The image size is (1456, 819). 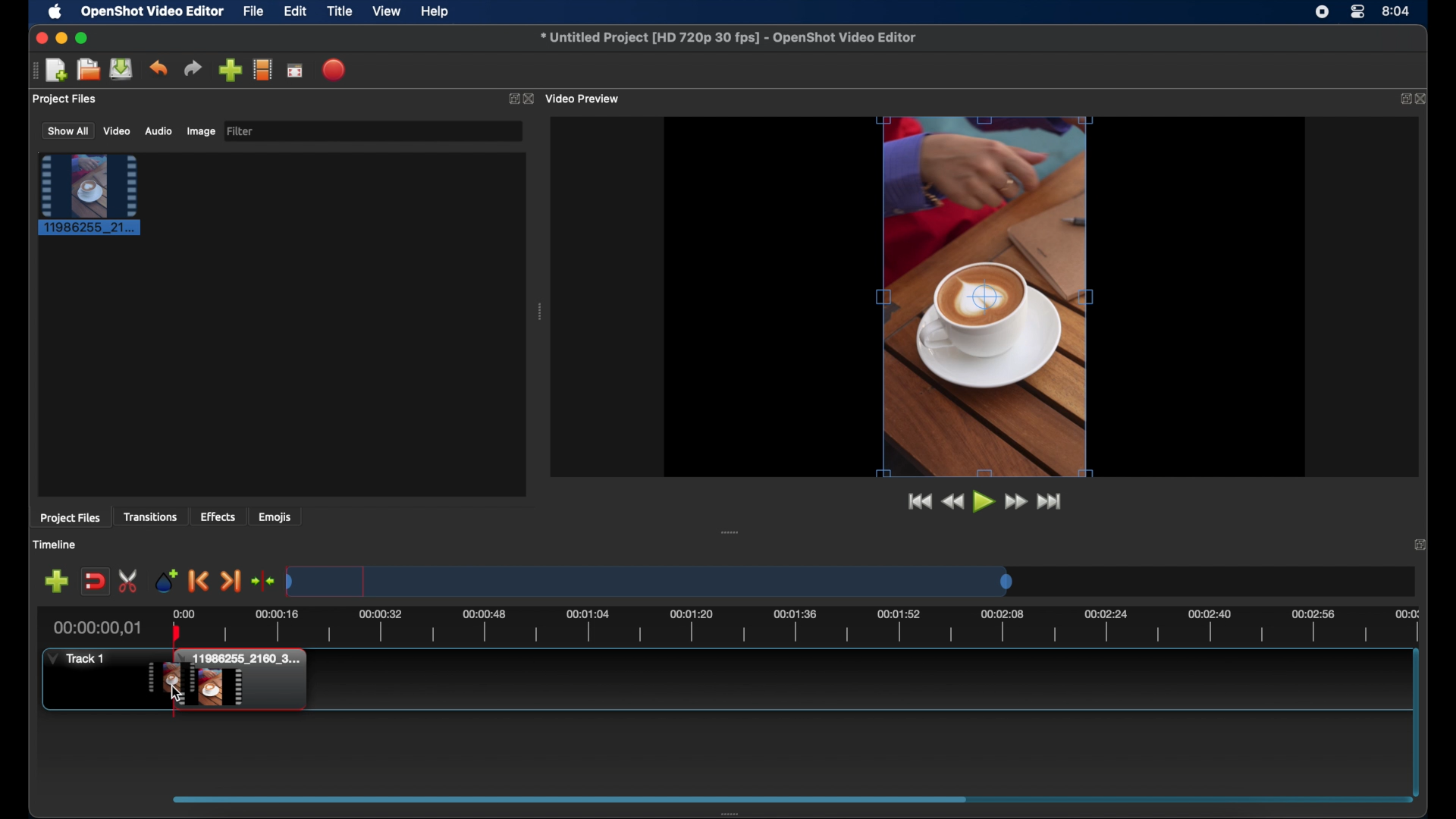 I want to click on openshot video editor, so click(x=153, y=12).